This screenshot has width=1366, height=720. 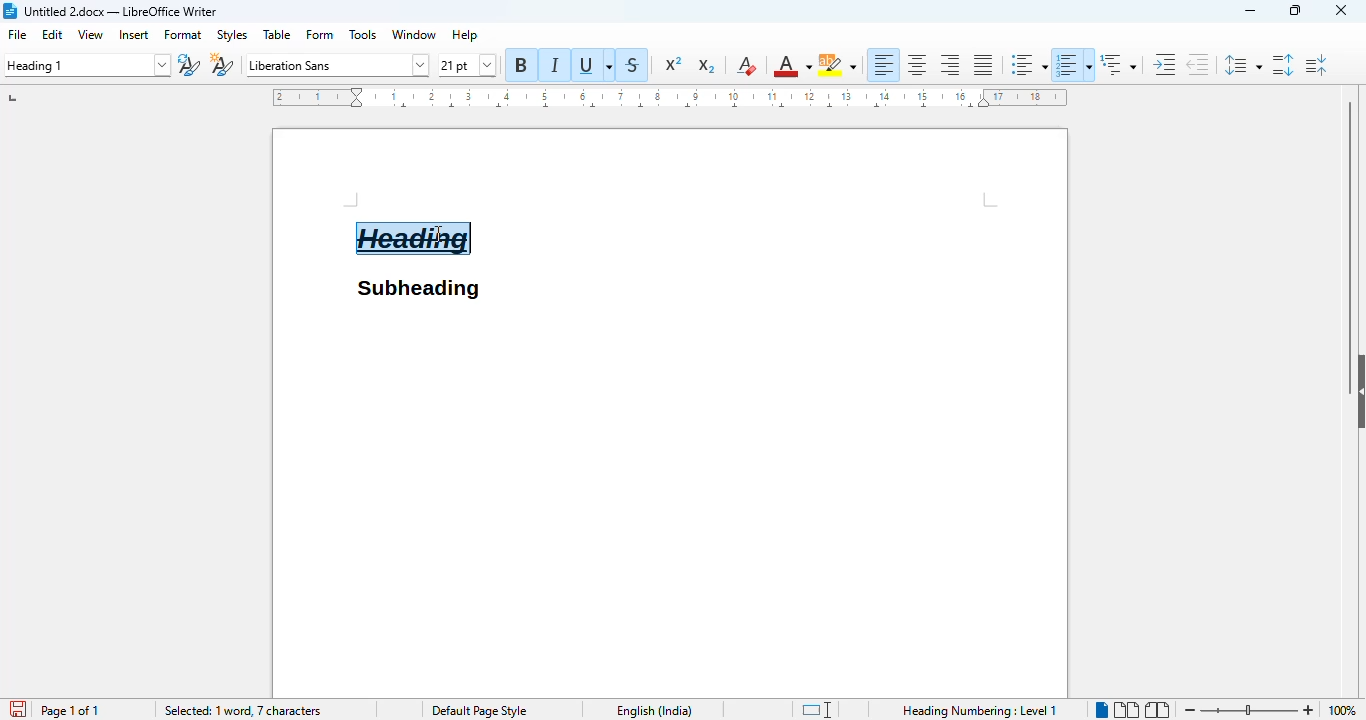 What do you see at coordinates (232, 36) in the screenshot?
I see `styles` at bounding box center [232, 36].